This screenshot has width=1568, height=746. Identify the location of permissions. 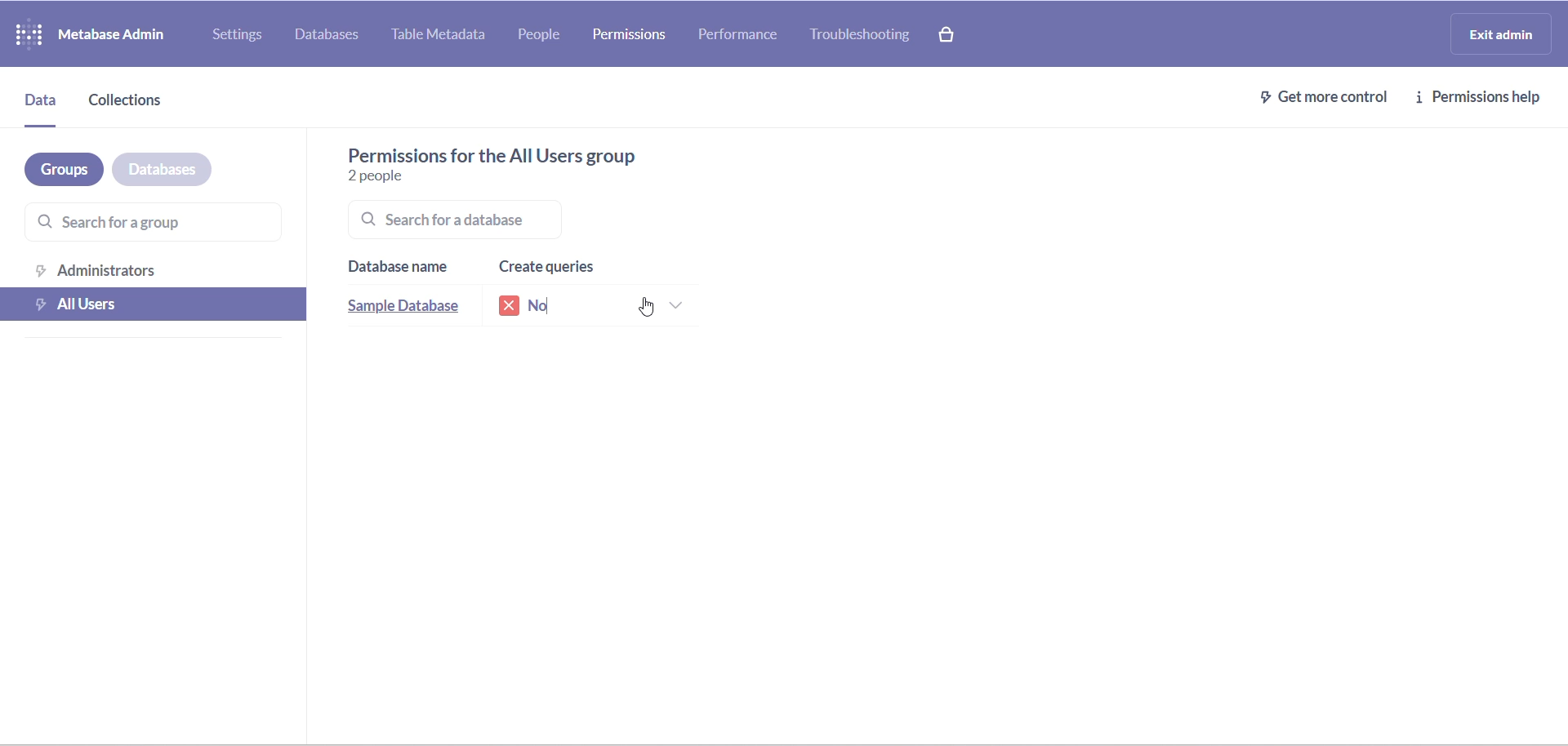
(600, 306).